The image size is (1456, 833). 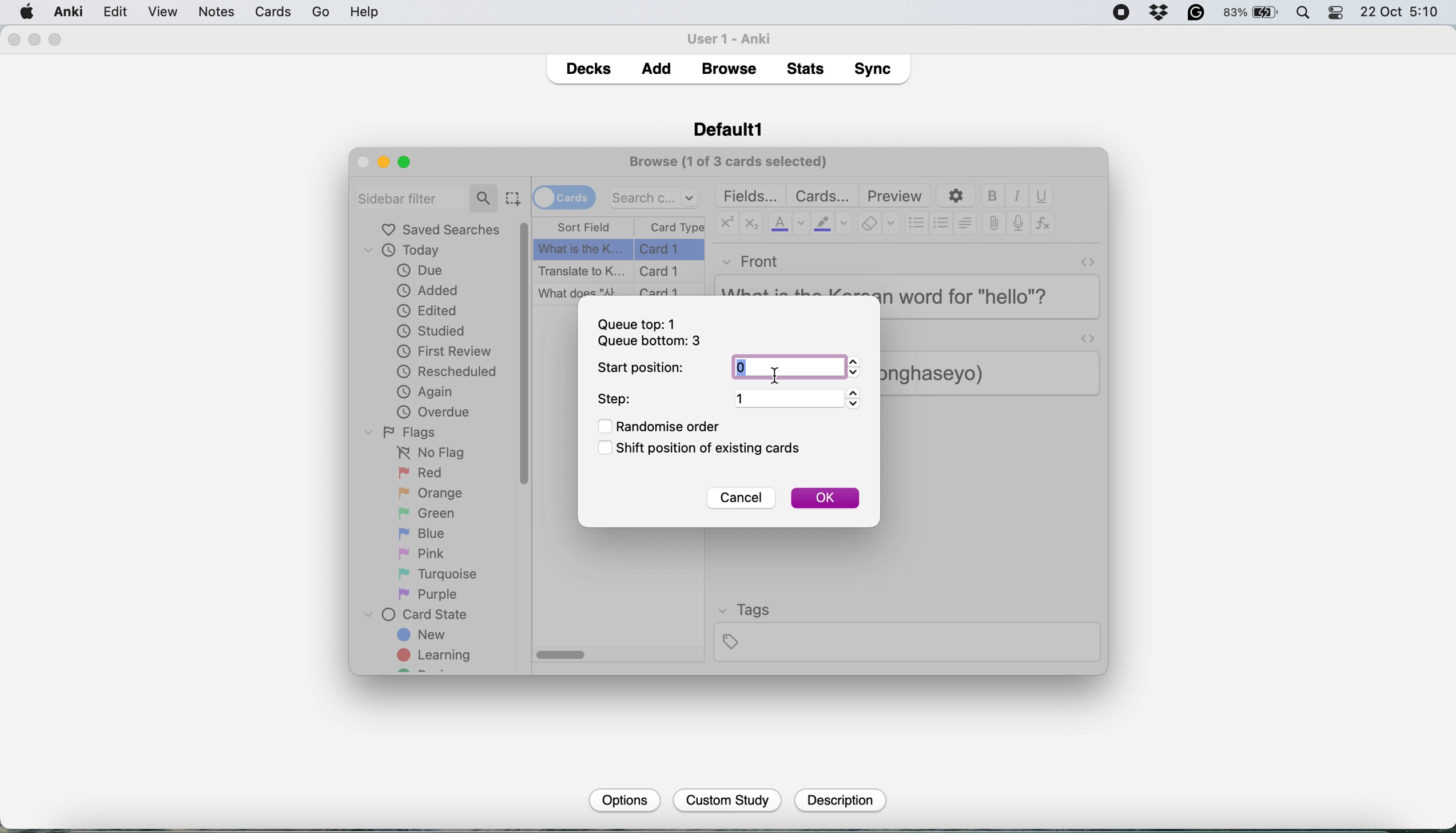 What do you see at coordinates (780, 376) in the screenshot?
I see `cursor` at bounding box center [780, 376].